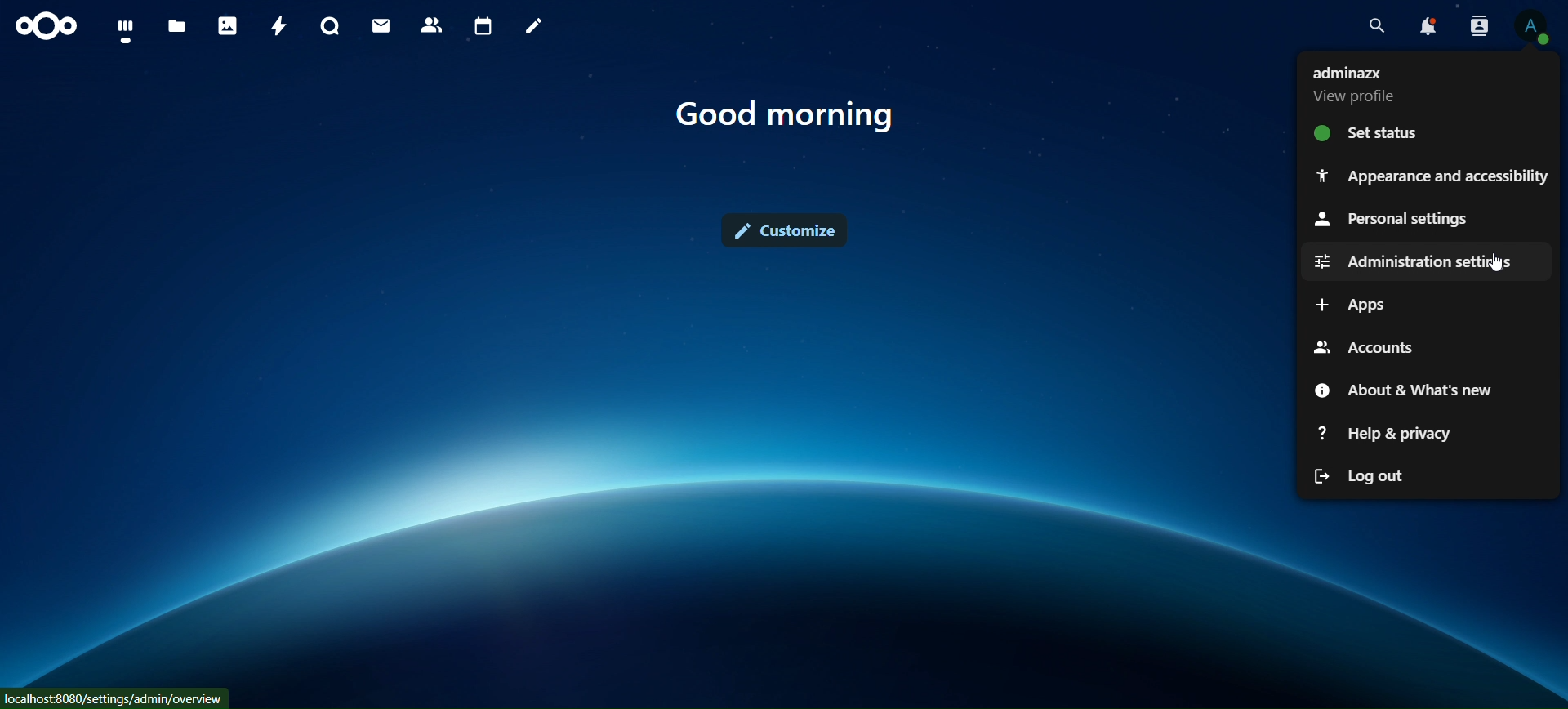  What do you see at coordinates (1349, 305) in the screenshot?
I see `apps` at bounding box center [1349, 305].